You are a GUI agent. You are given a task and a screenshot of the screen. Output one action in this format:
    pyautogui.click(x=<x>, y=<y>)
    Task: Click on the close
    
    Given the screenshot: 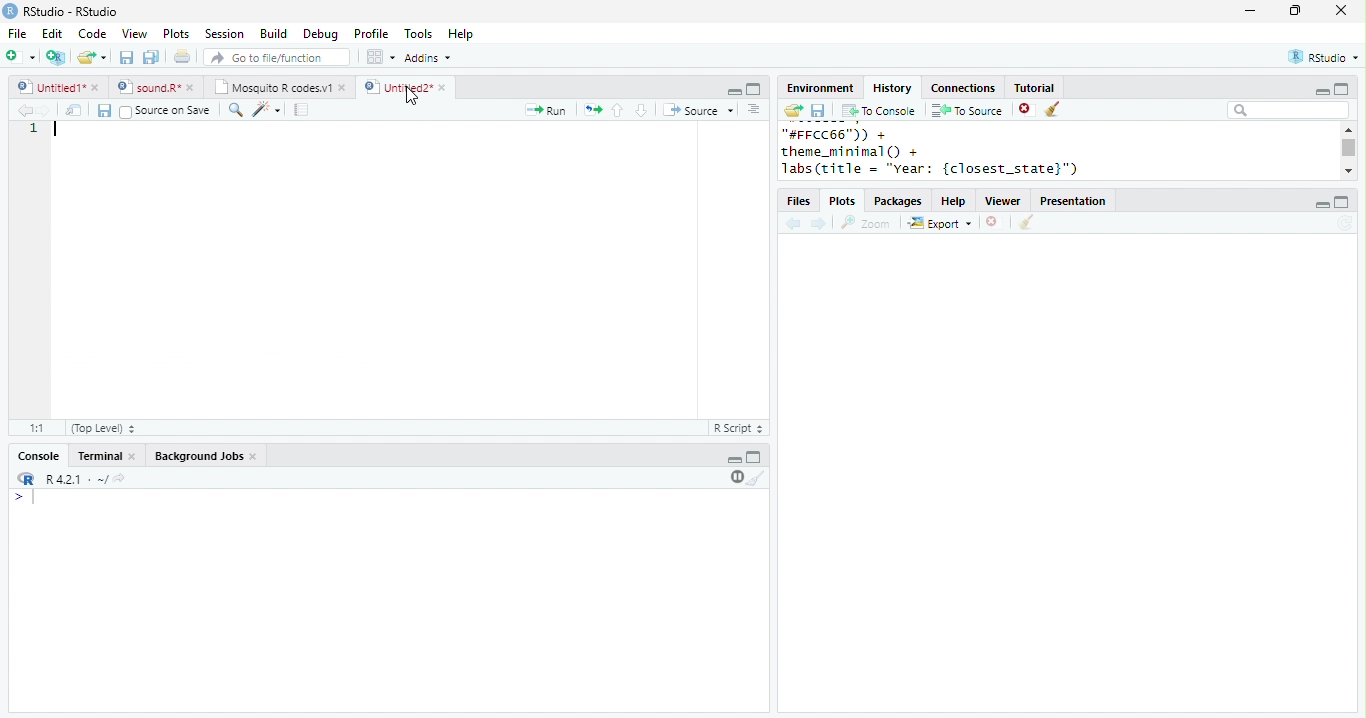 What is the action you would take?
    pyautogui.click(x=1342, y=10)
    